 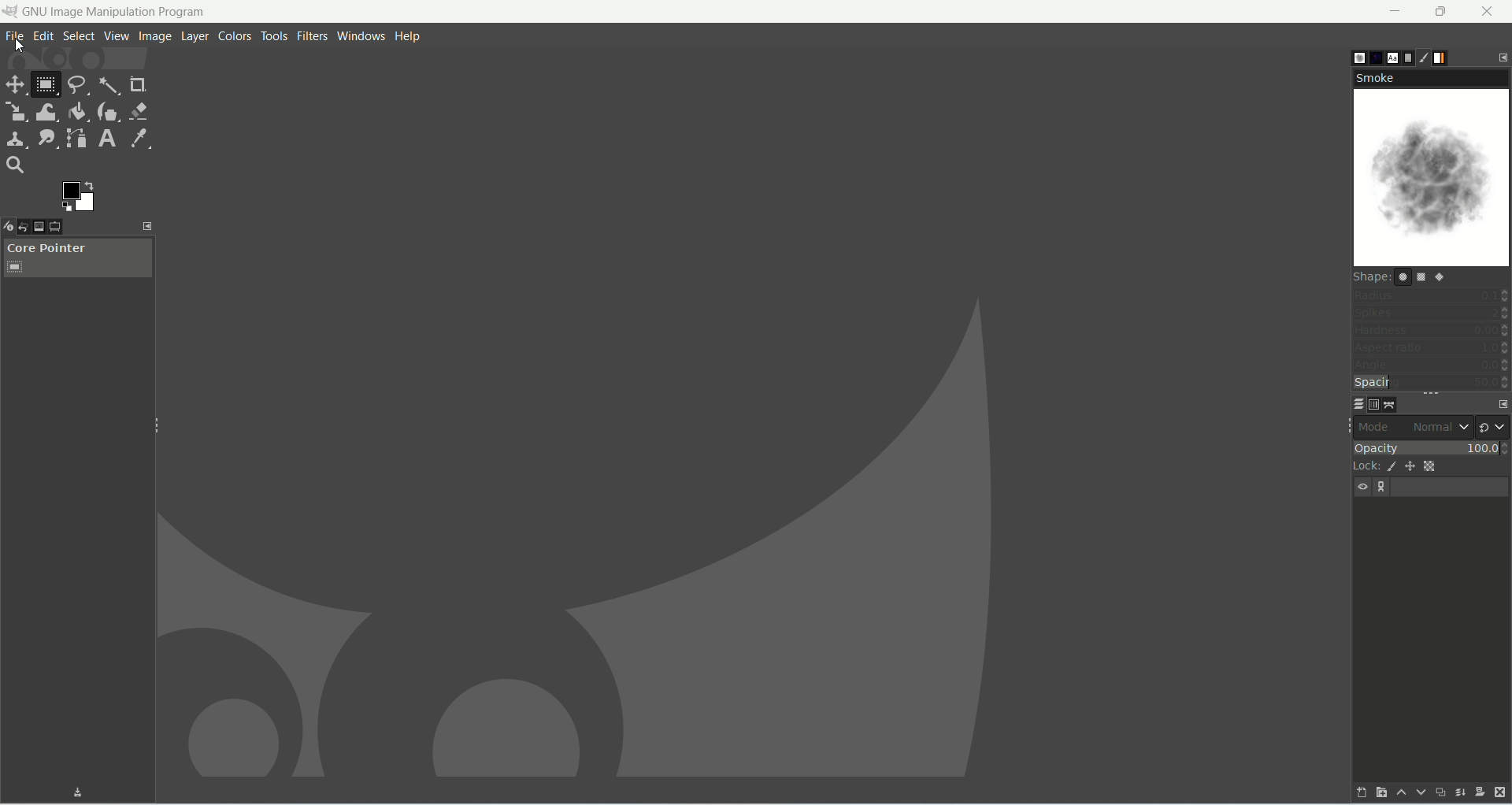 I want to click on visibility, so click(x=1361, y=486).